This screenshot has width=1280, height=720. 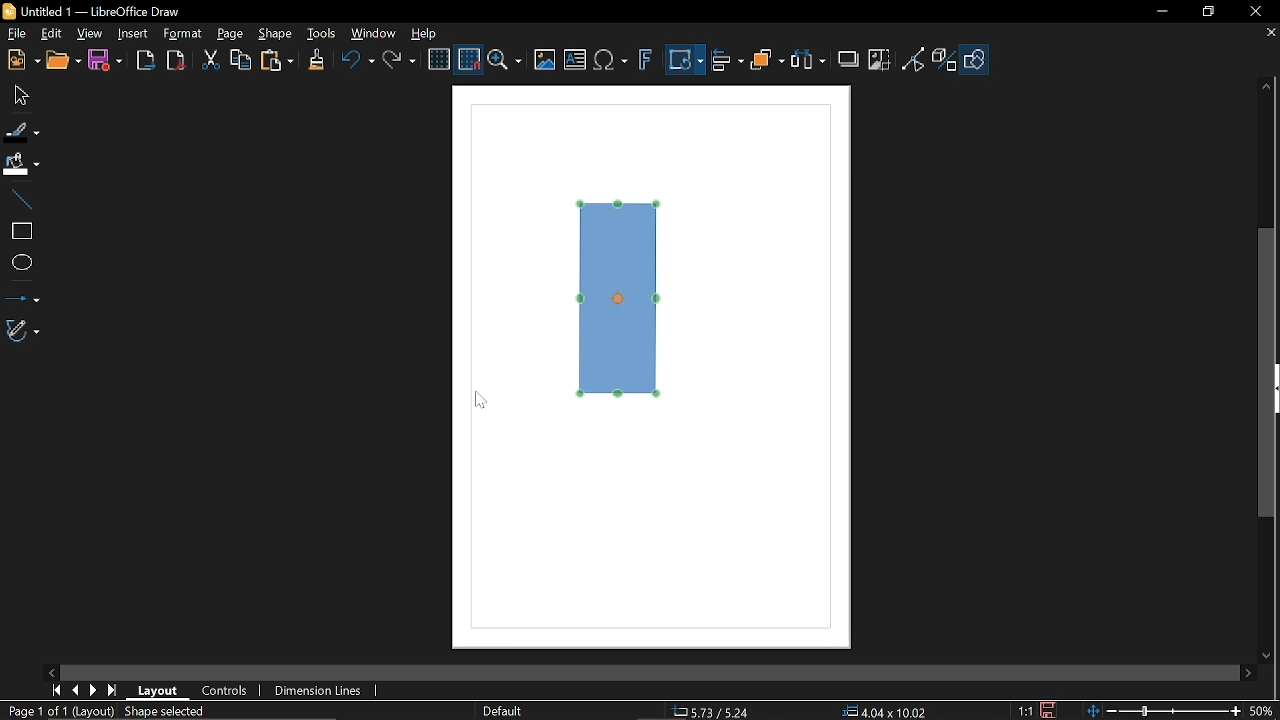 I want to click on Curves and polygons, so click(x=23, y=330).